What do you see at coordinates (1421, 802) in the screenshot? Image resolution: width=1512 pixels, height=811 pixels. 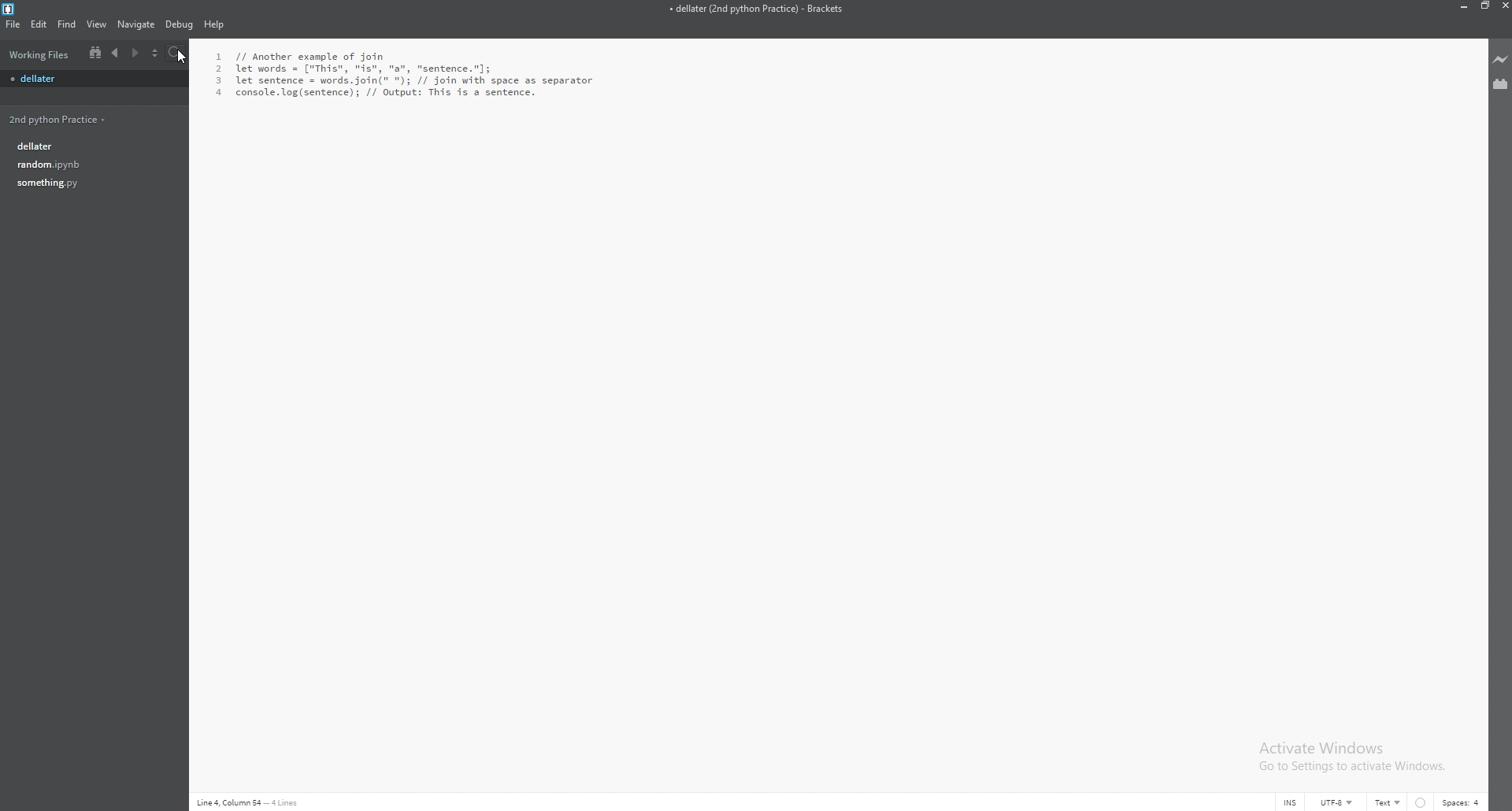 I see `linter` at bounding box center [1421, 802].